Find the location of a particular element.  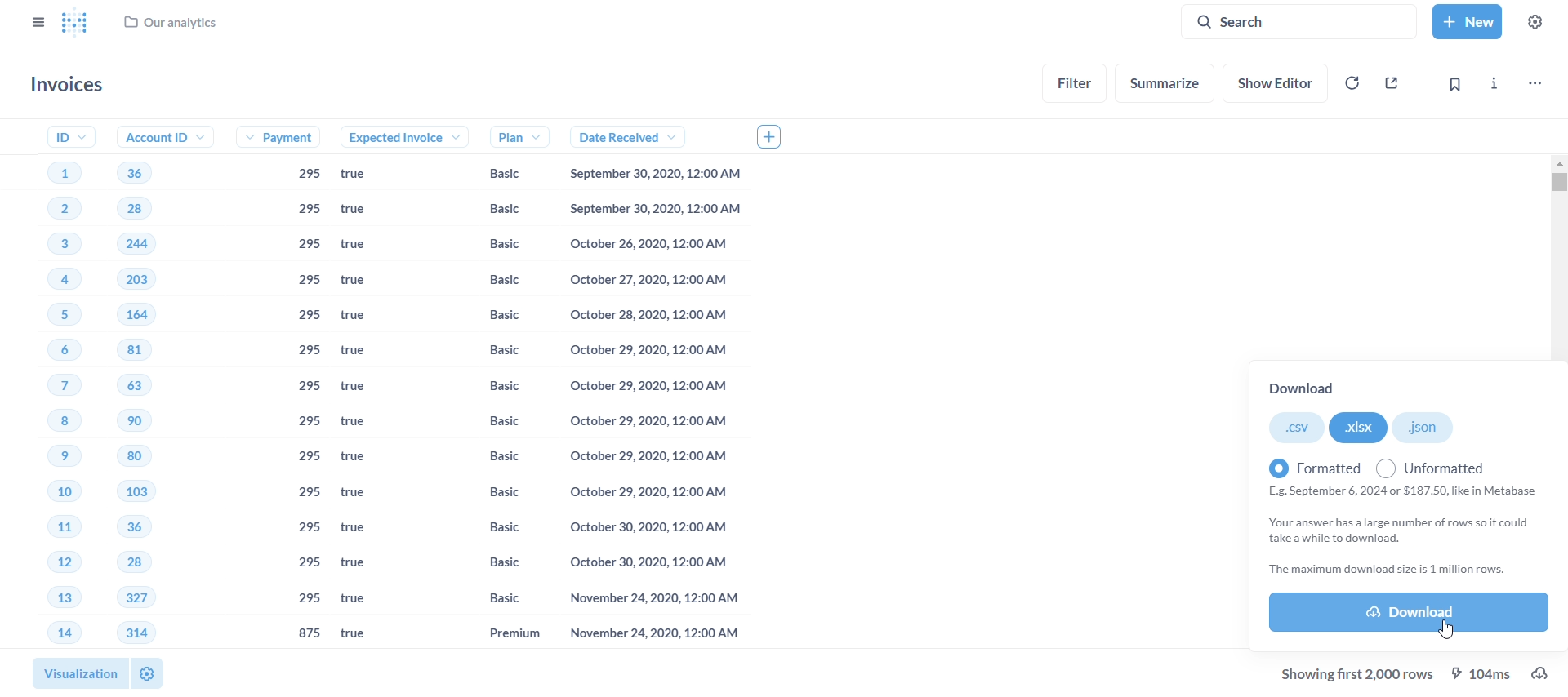

October 30,2020, 12:00 AM is located at coordinates (649, 526).